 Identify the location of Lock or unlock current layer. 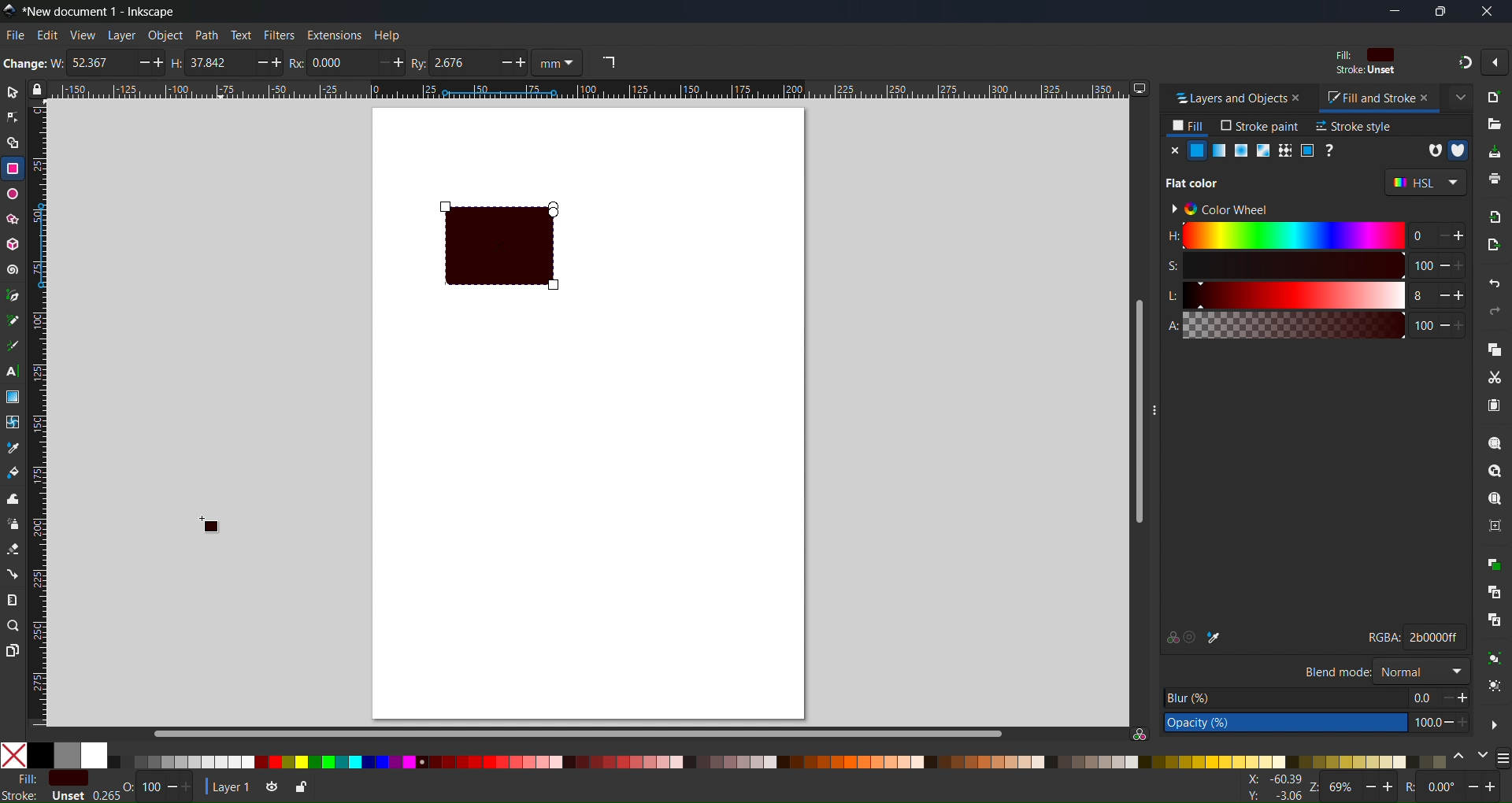
(299, 789).